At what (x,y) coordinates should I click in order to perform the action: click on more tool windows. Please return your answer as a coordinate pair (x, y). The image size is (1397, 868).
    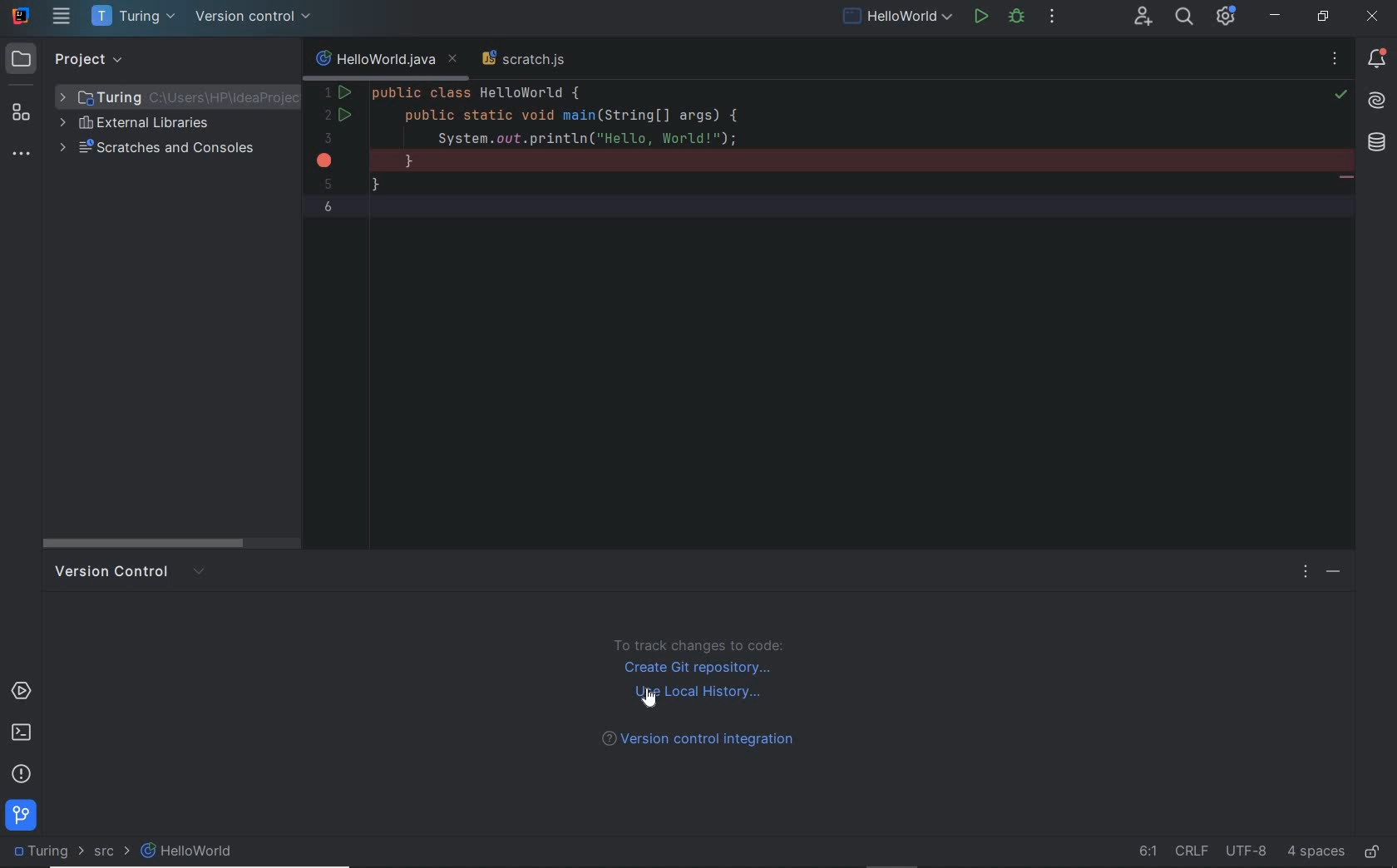
    Looking at the image, I should click on (22, 154).